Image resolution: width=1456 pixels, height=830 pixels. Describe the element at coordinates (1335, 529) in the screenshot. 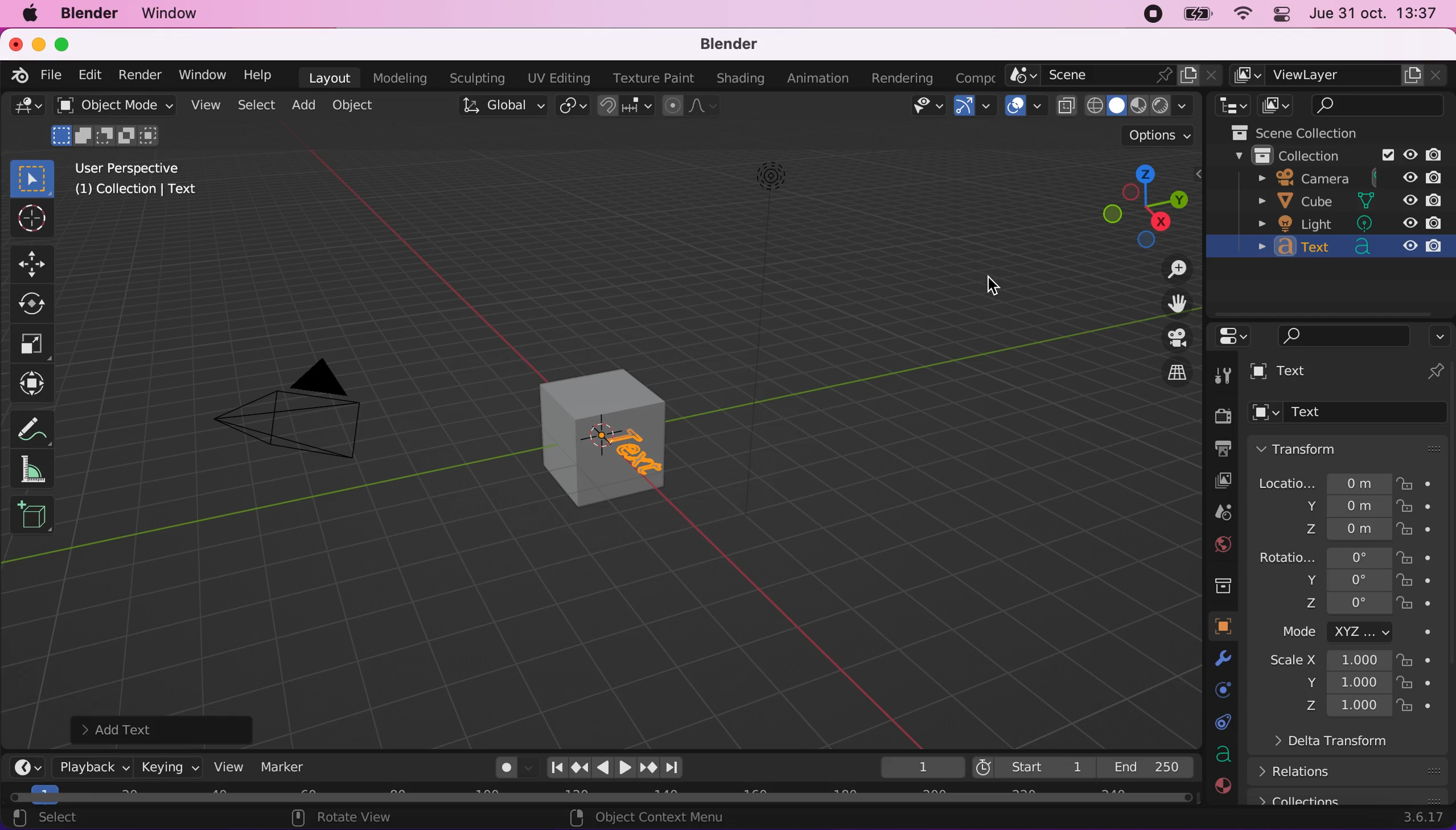

I see `Z 0m` at that location.